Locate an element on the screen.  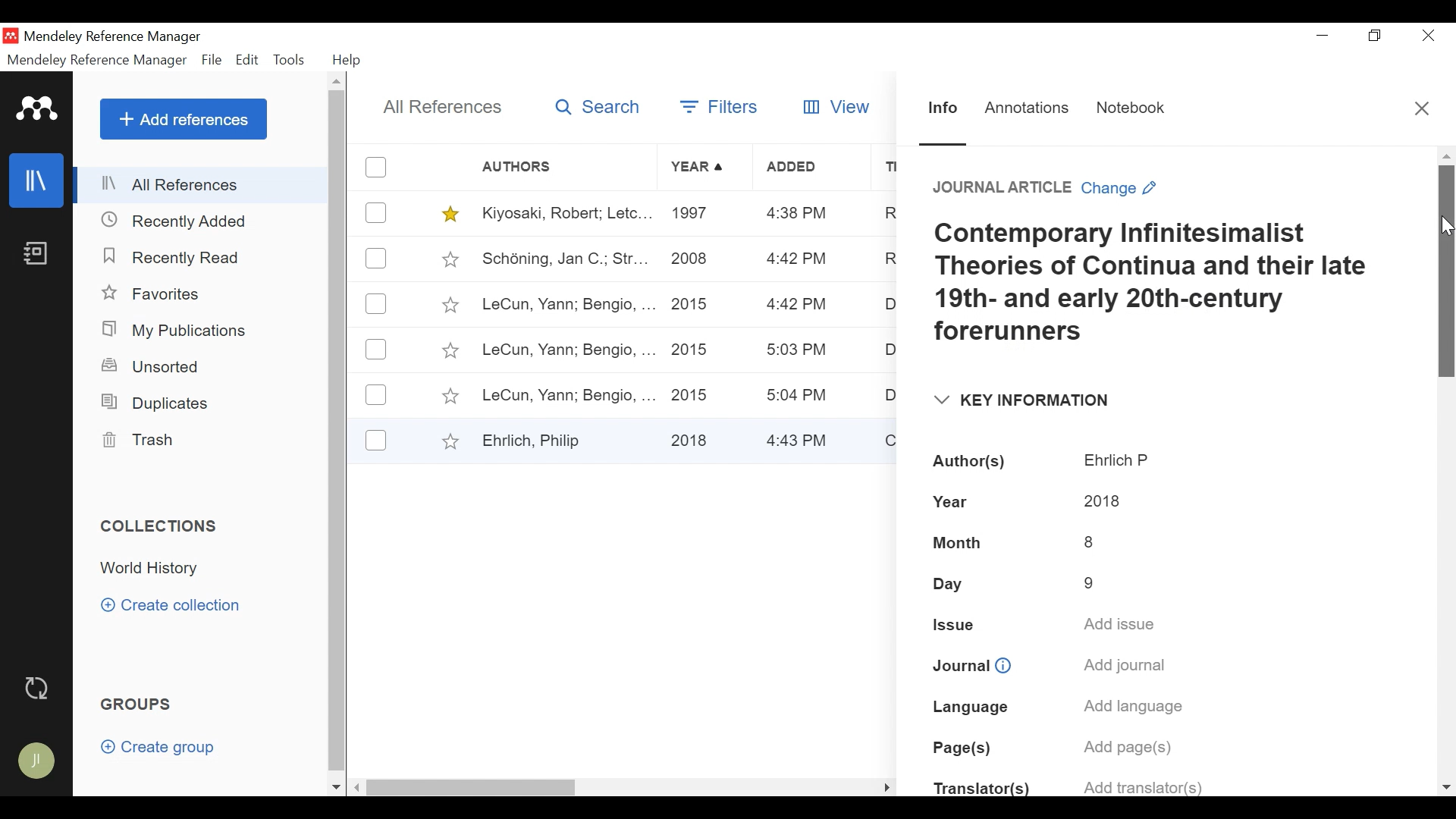
All References is located at coordinates (203, 186).